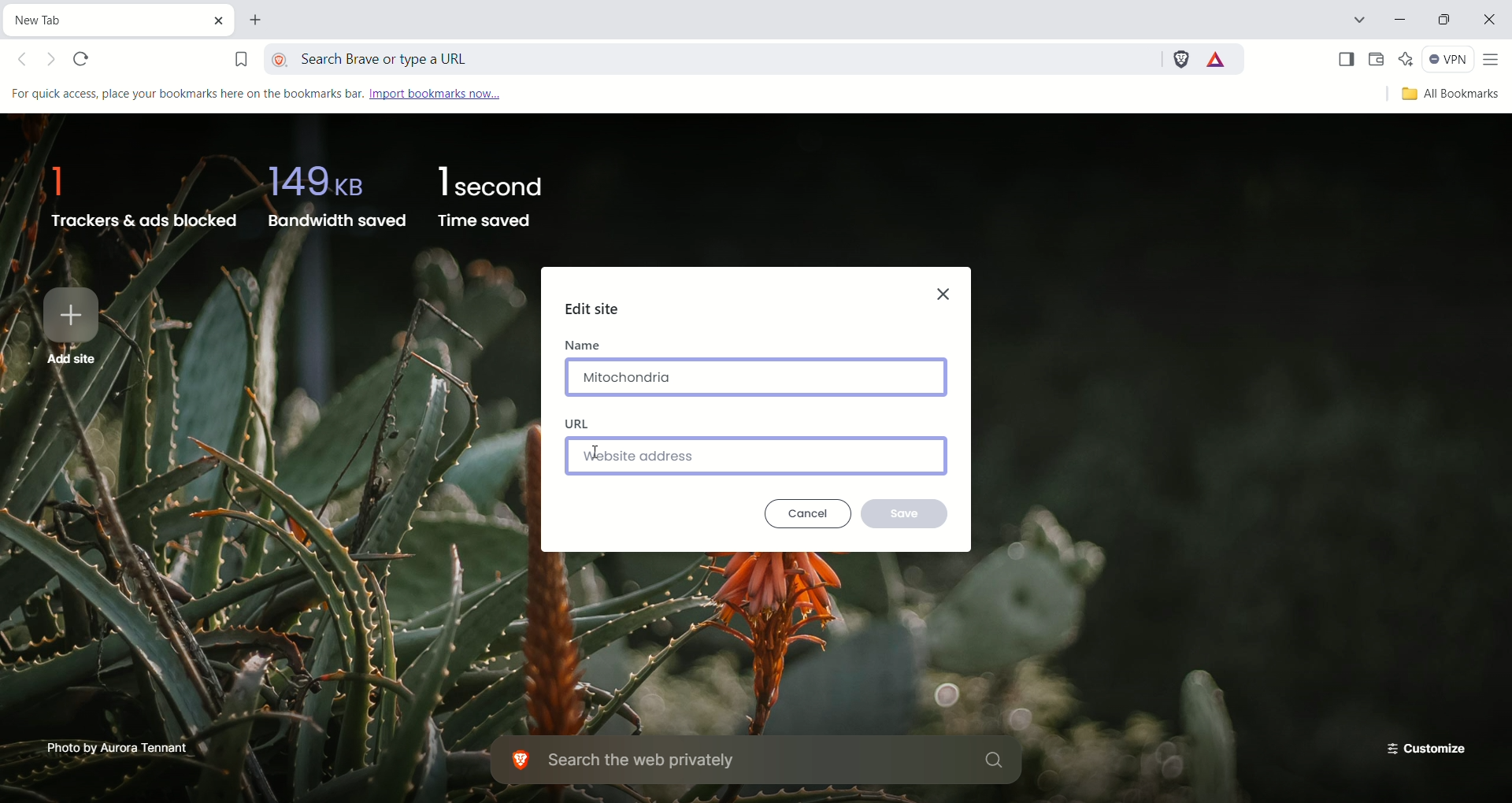  Describe the element at coordinates (810, 515) in the screenshot. I see `cancel` at that location.